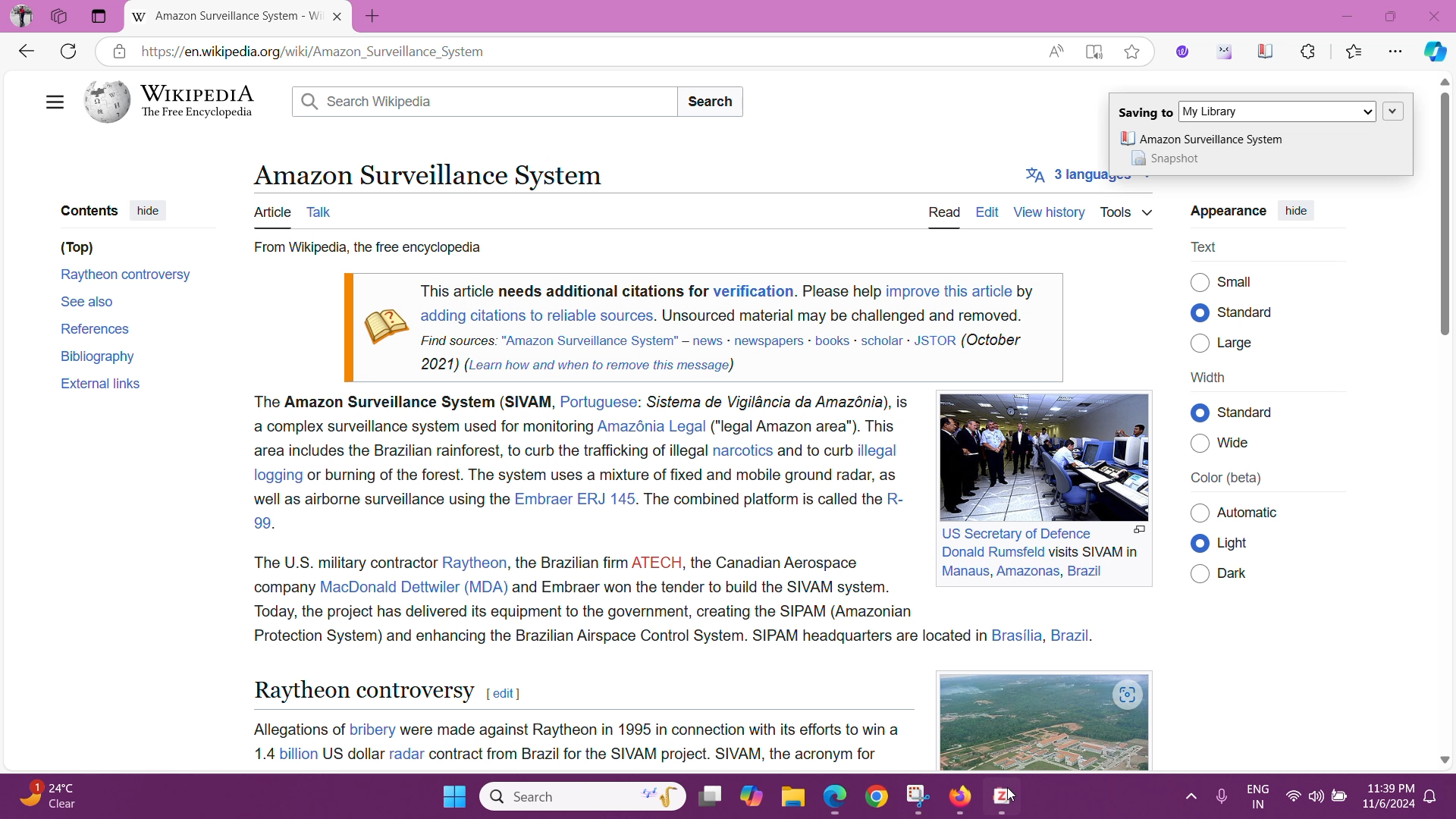 Image resolution: width=1456 pixels, height=819 pixels. What do you see at coordinates (1263, 412) in the screenshot?
I see `` at bounding box center [1263, 412].